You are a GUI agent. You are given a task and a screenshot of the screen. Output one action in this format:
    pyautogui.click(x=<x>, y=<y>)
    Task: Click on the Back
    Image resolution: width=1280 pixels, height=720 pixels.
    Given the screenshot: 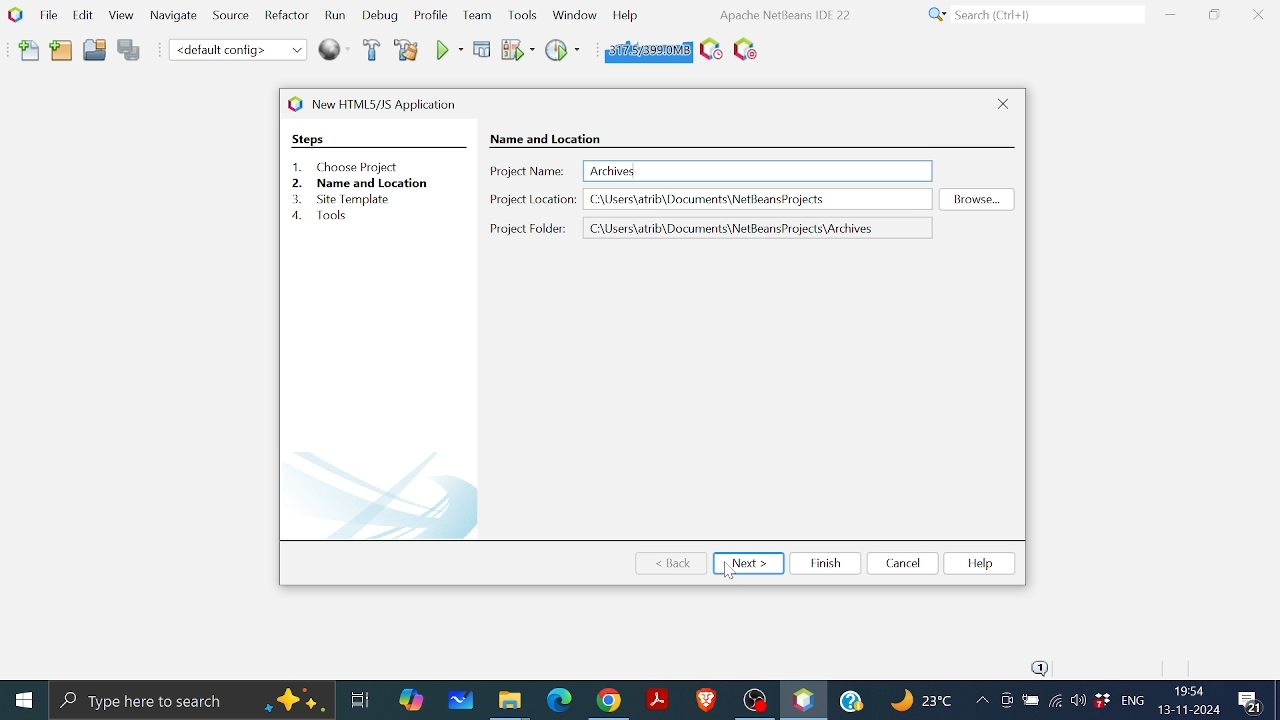 What is the action you would take?
    pyautogui.click(x=673, y=562)
    